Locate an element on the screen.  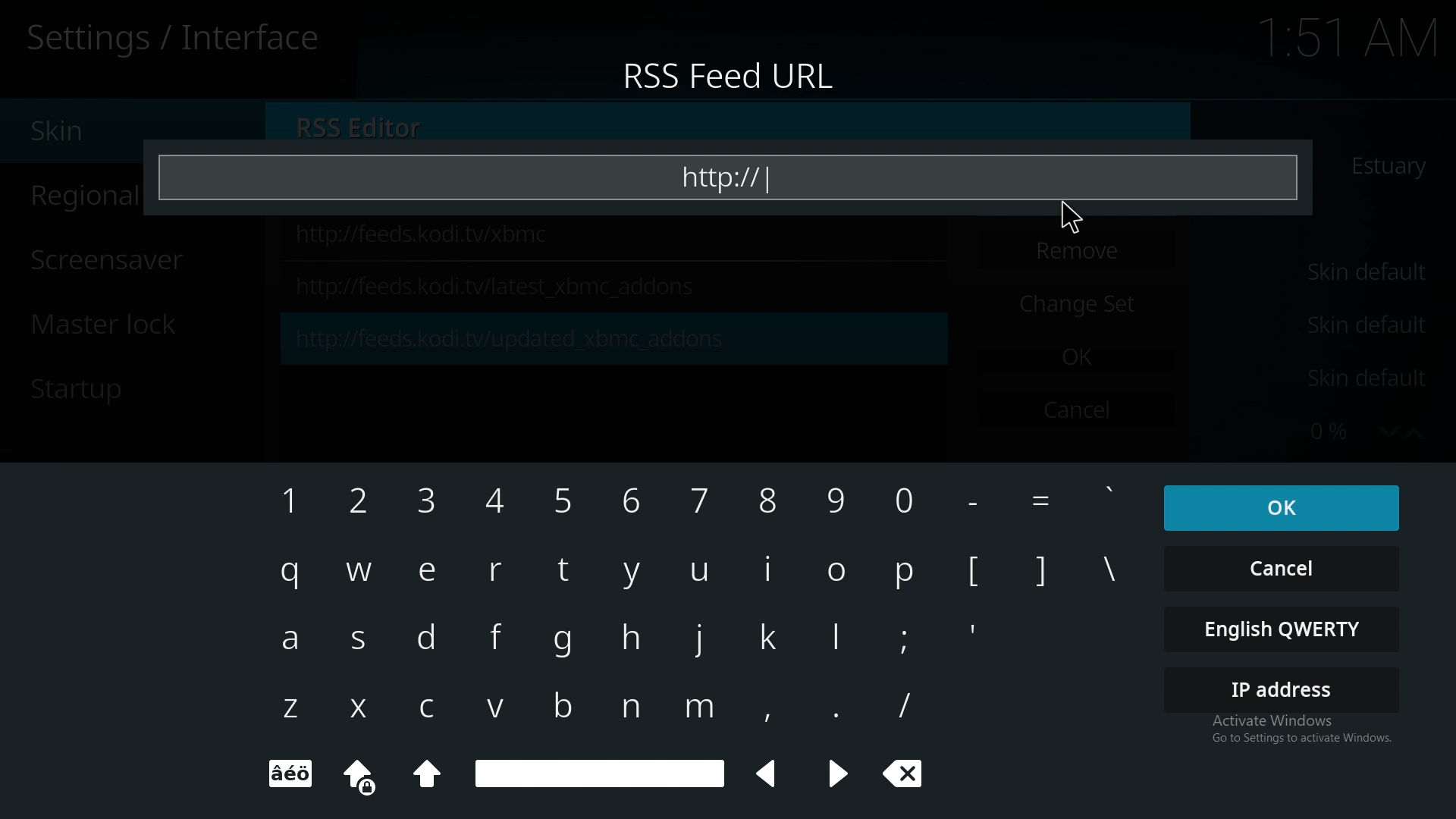
z is located at coordinates (287, 709).